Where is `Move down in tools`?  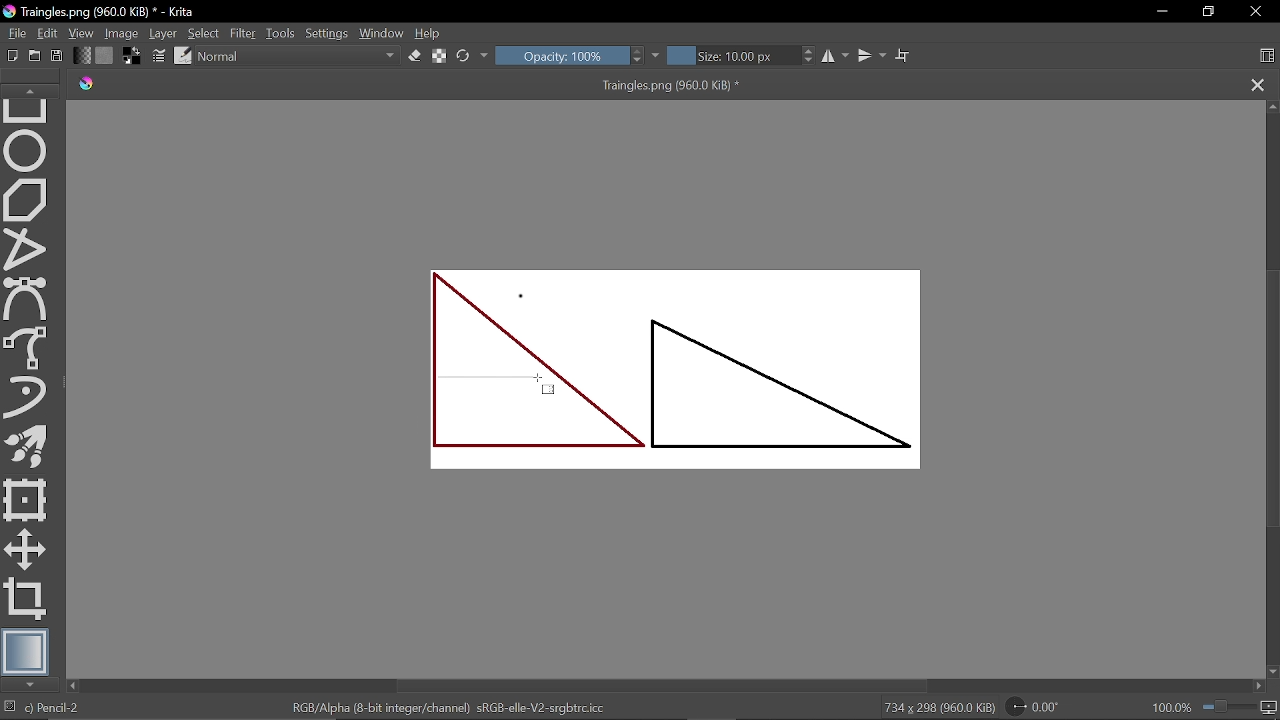
Move down in tools is located at coordinates (32, 685).